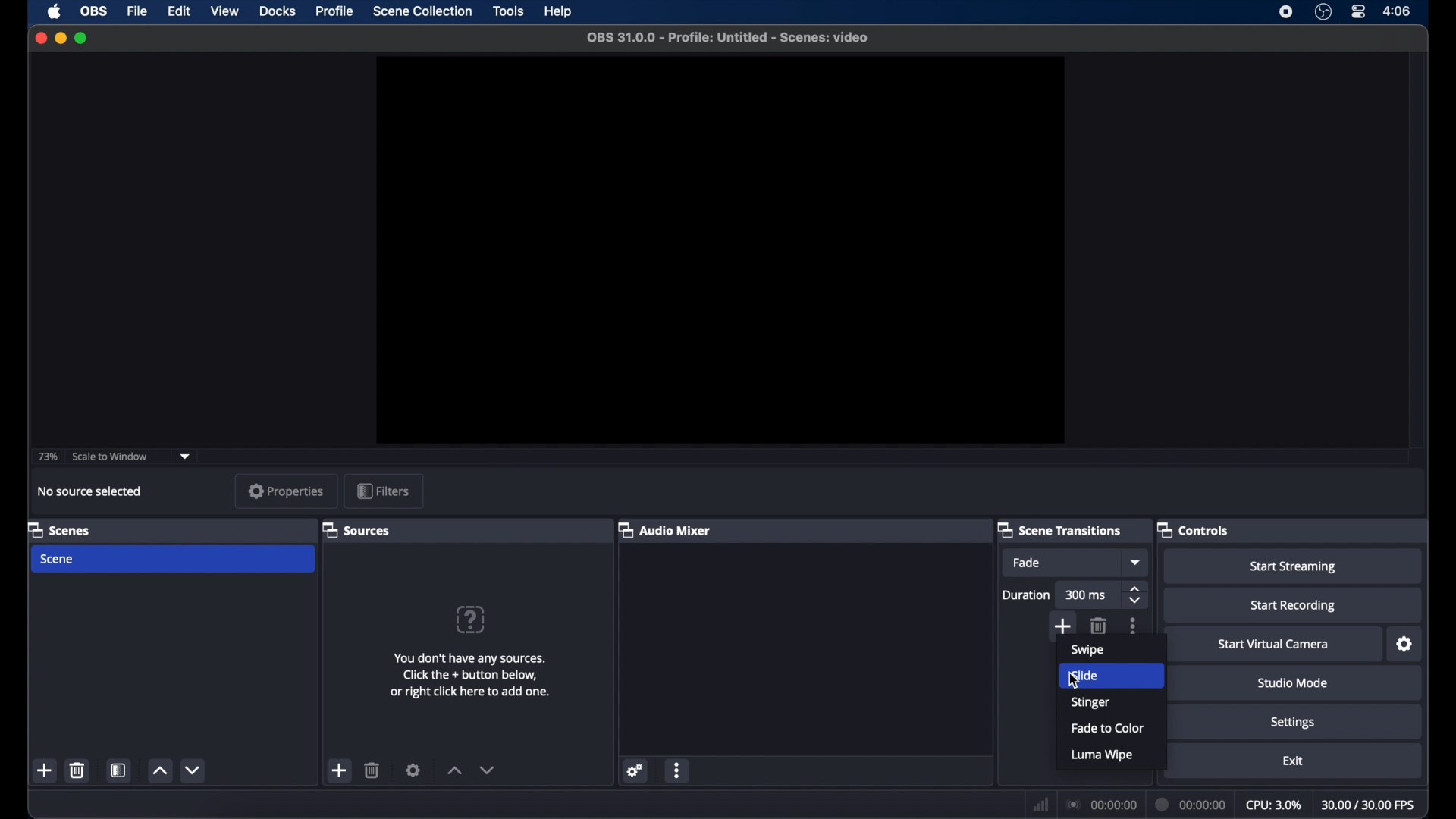 This screenshot has width=1456, height=819. What do you see at coordinates (83, 38) in the screenshot?
I see `maximize` at bounding box center [83, 38].